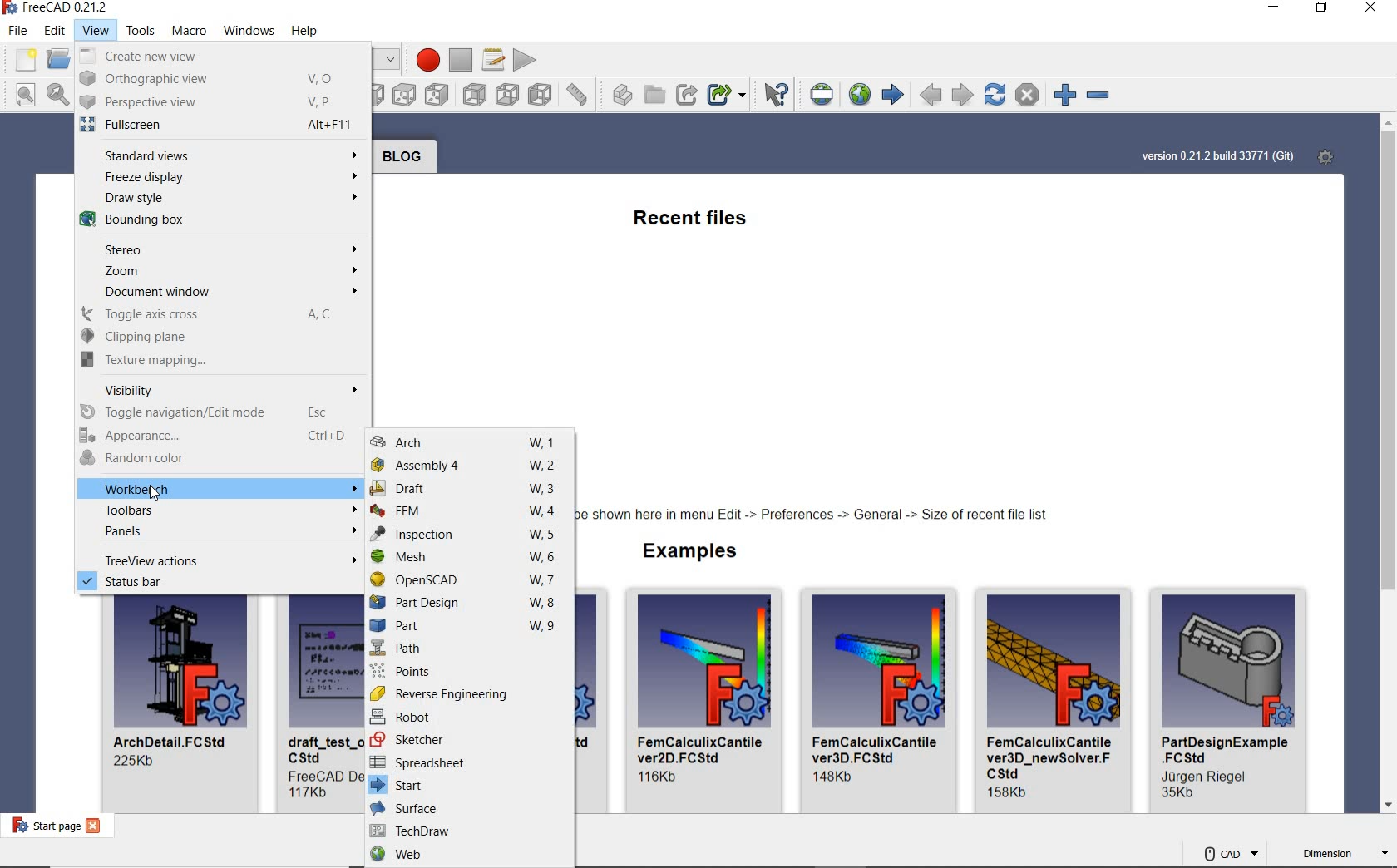 The width and height of the screenshot is (1397, 868). Describe the element at coordinates (22, 95) in the screenshot. I see `fit all` at that location.